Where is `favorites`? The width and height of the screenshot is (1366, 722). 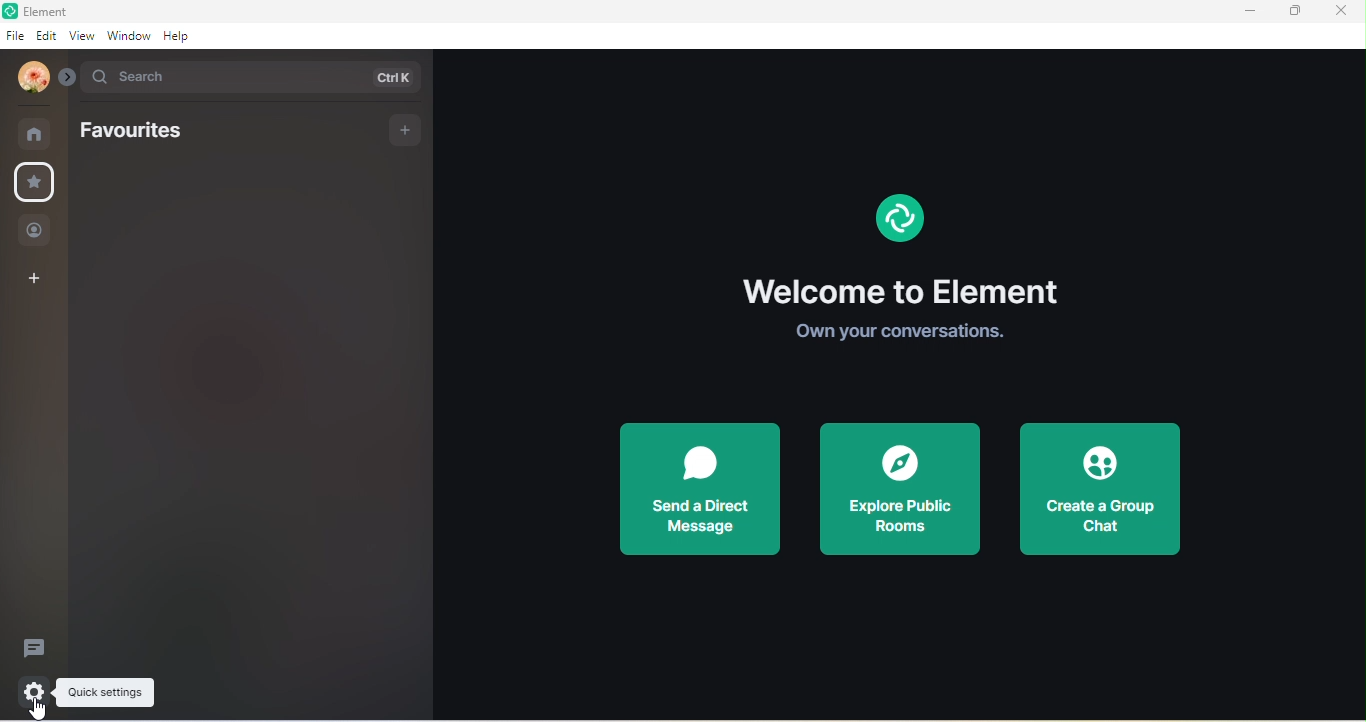
favorites is located at coordinates (33, 182).